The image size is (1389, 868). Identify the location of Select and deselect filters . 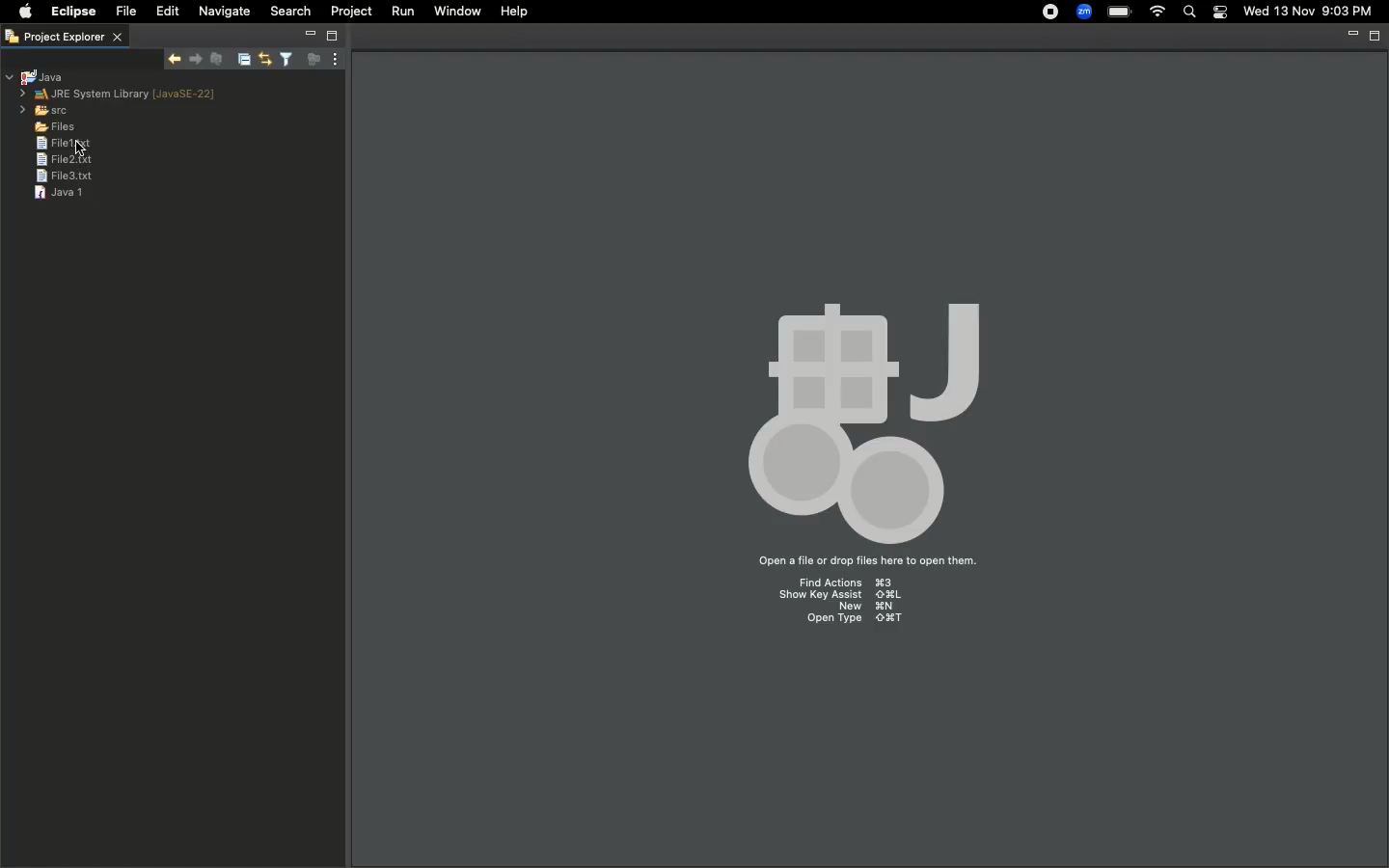
(285, 60).